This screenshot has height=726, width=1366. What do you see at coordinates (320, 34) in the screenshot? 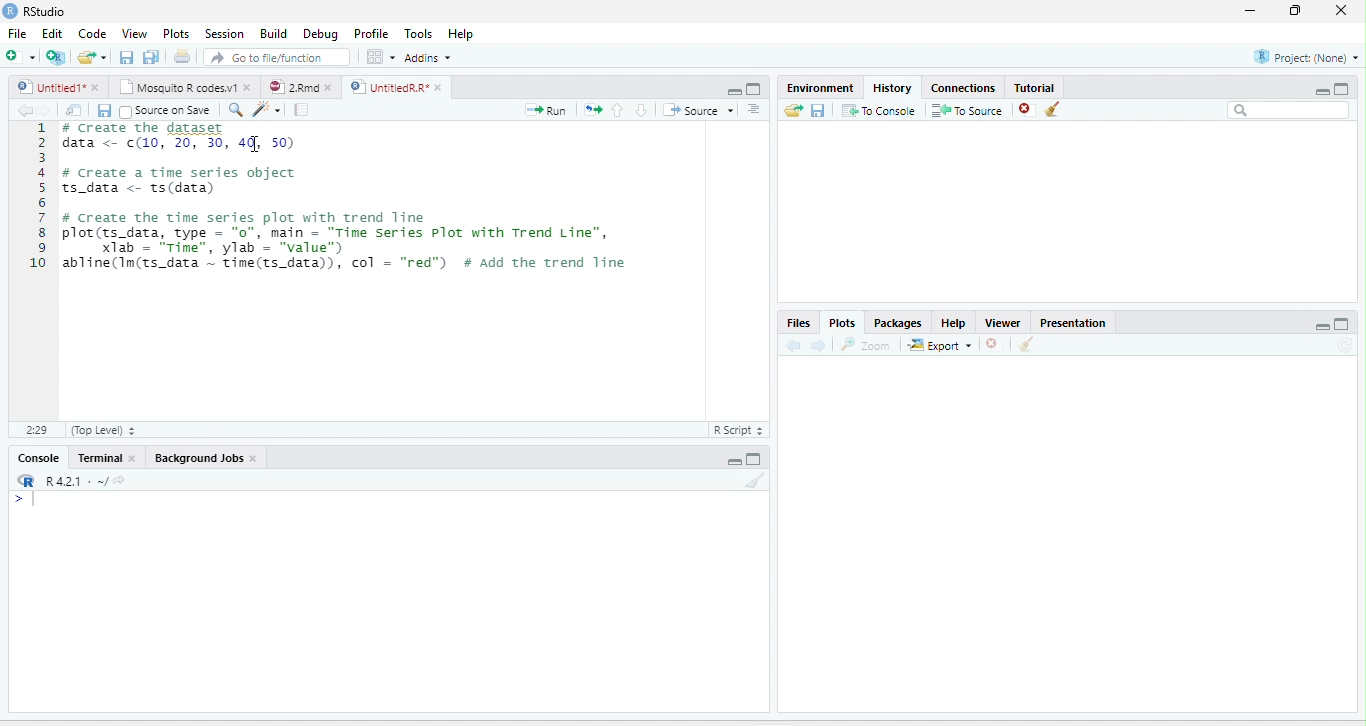
I see `Debug` at bounding box center [320, 34].